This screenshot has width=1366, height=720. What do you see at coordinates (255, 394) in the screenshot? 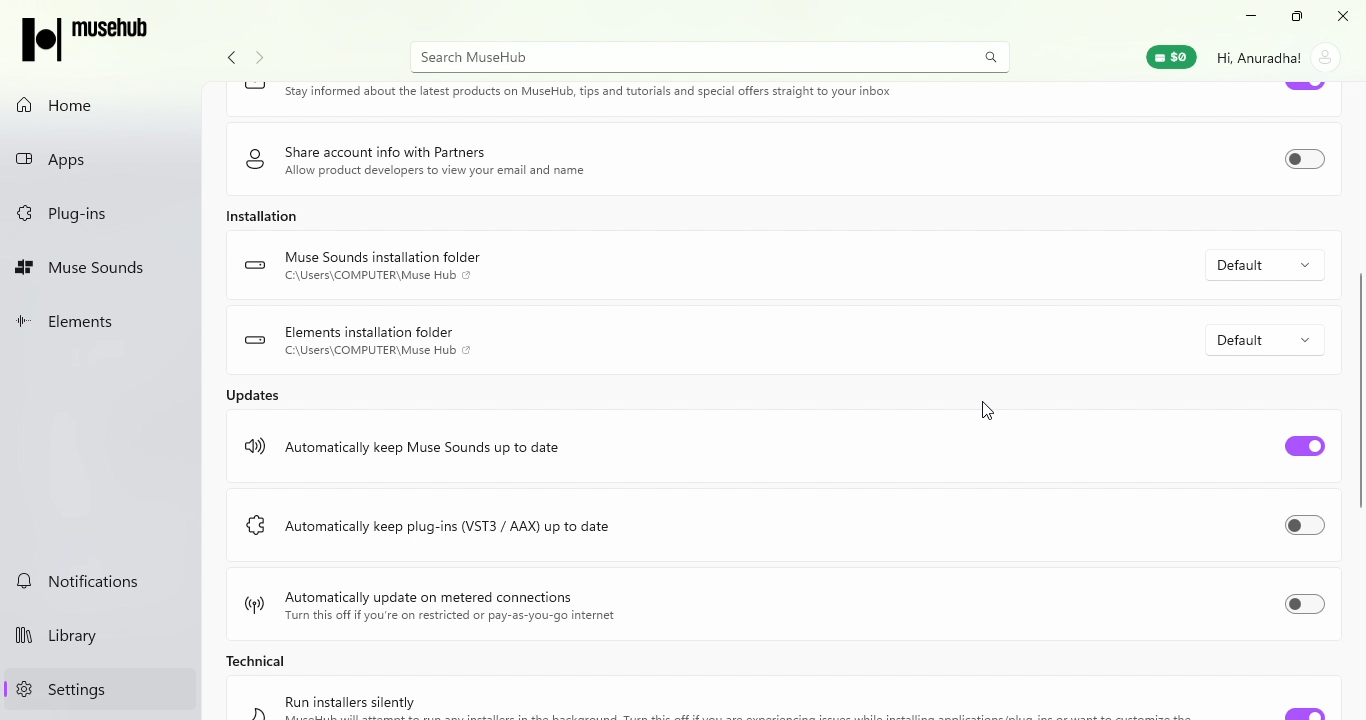
I see `Updates` at bounding box center [255, 394].